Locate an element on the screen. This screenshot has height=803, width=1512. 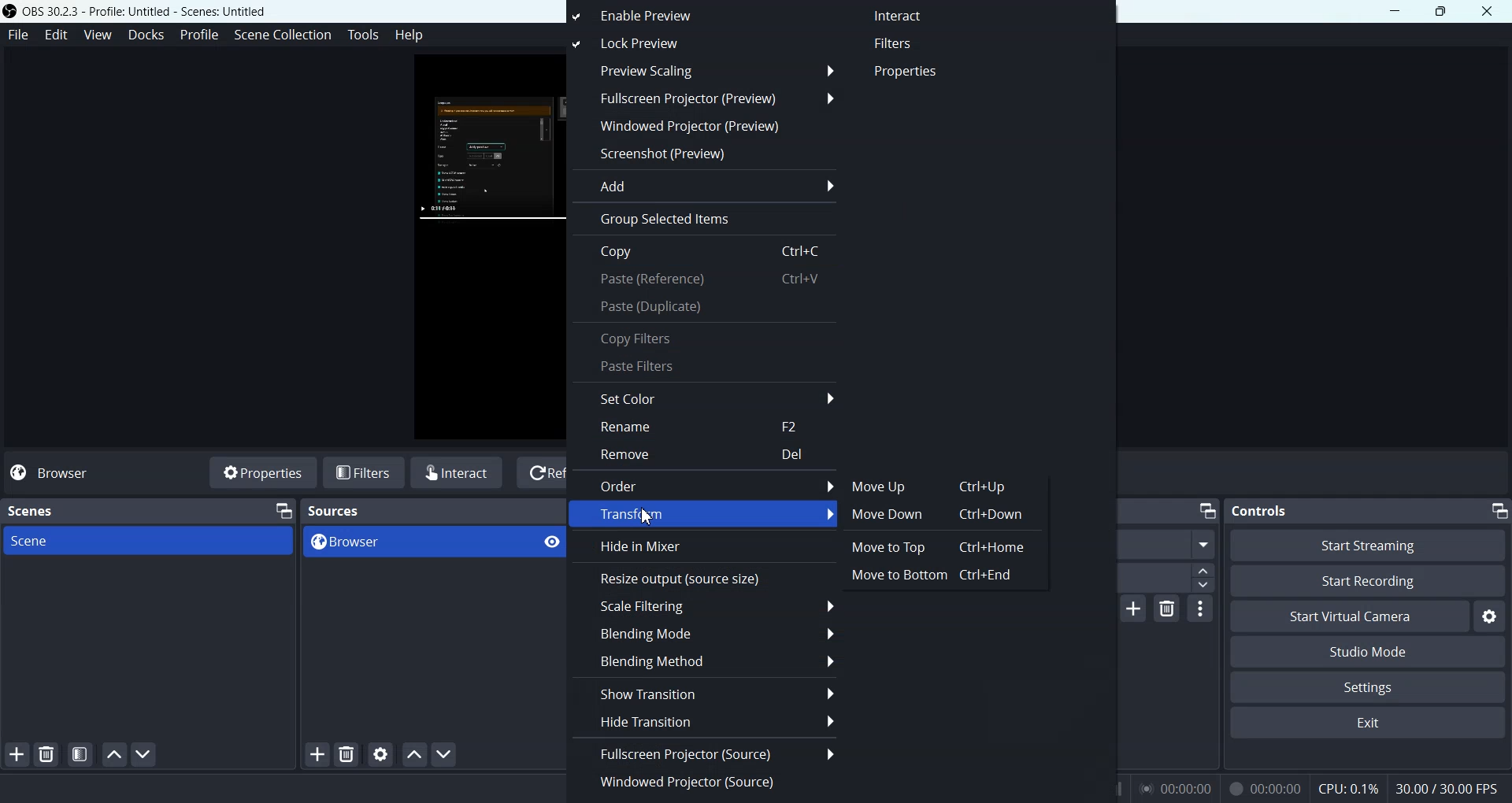
Windowed Projector (preview) is located at coordinates (702, 126).